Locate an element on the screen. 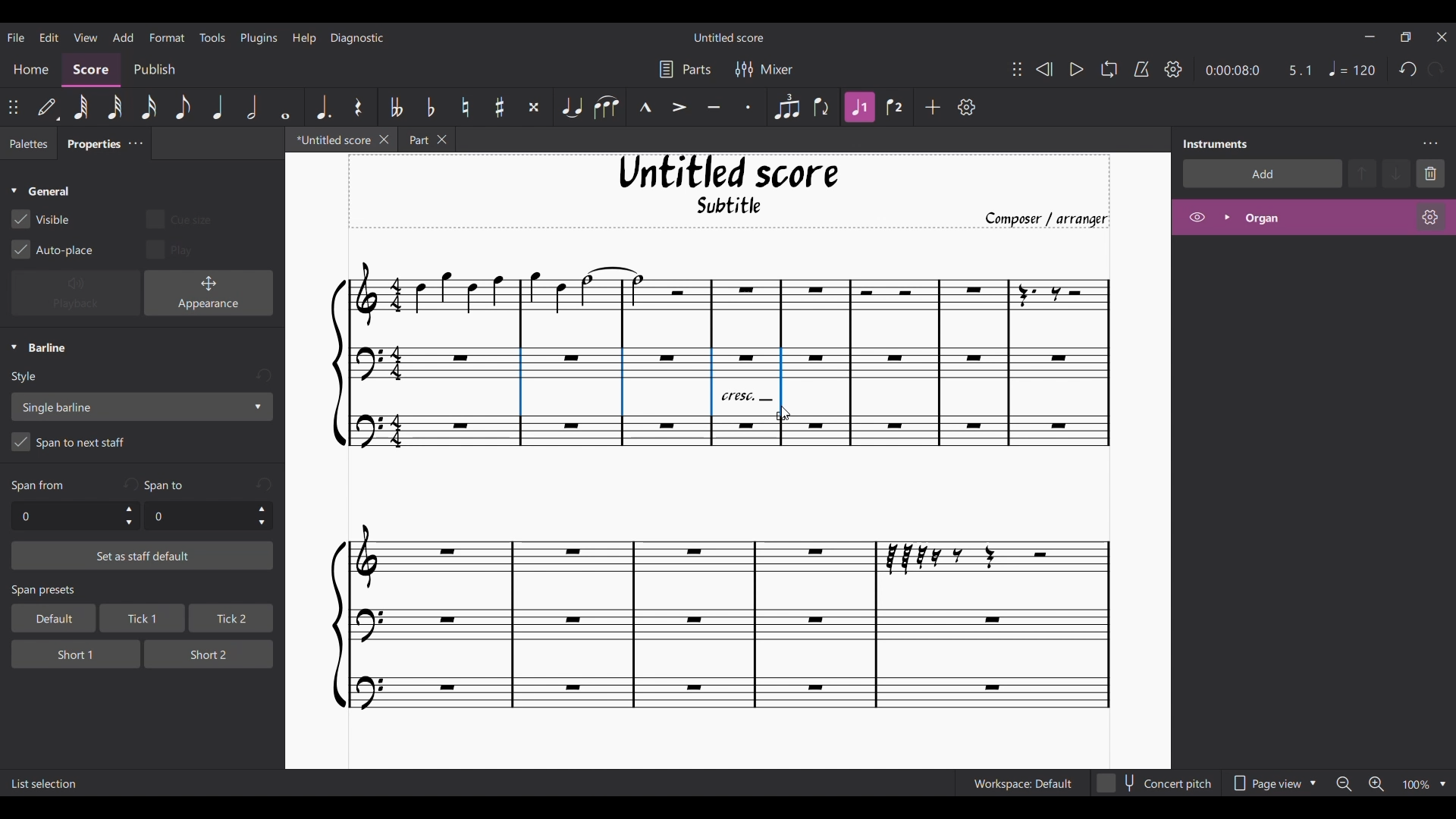 Image resolution: width=1456 pixels, height=819 pixels. Close current tab is located at coordinates (384, 139).